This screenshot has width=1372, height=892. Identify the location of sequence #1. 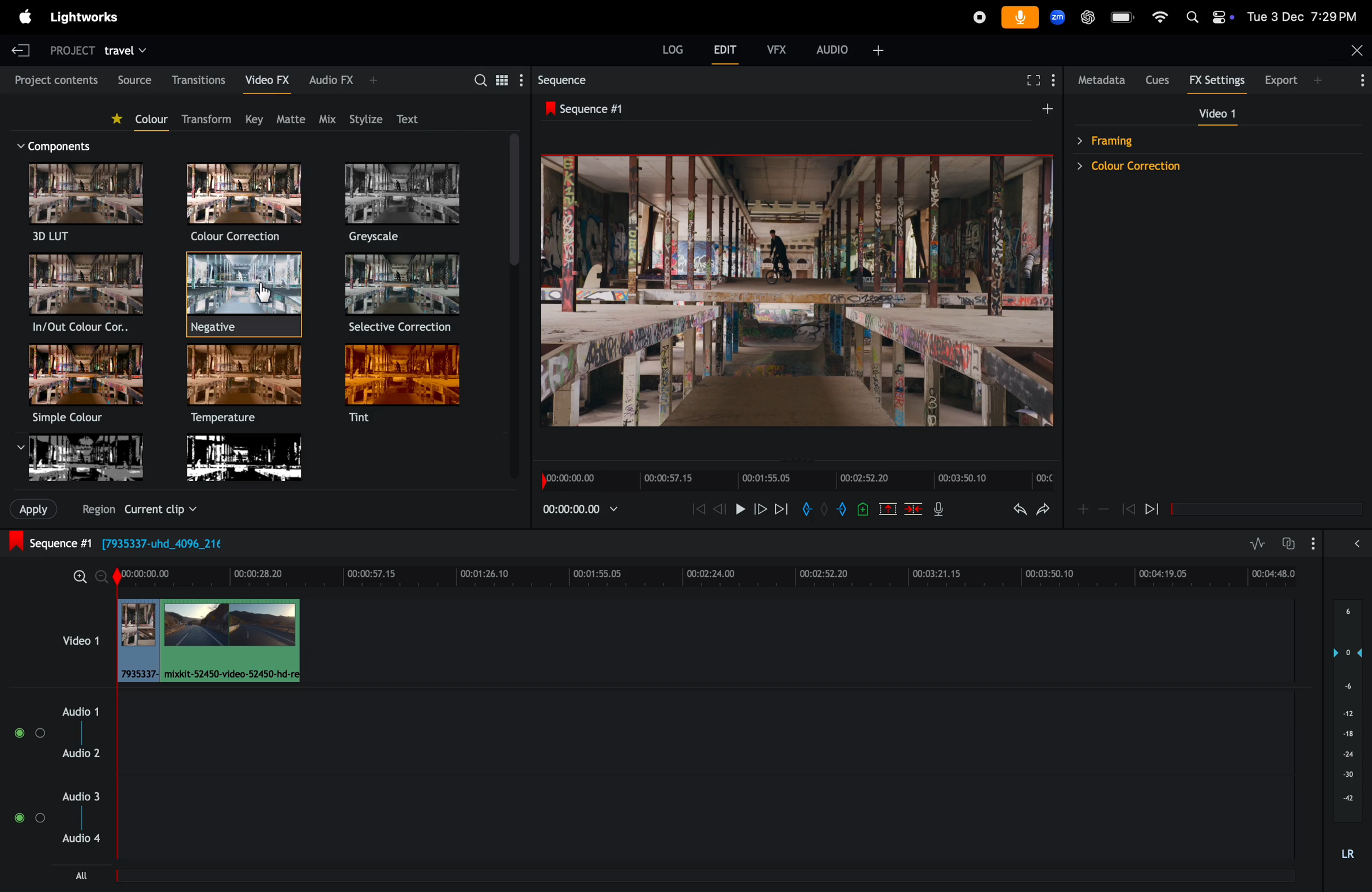
(133, 543).